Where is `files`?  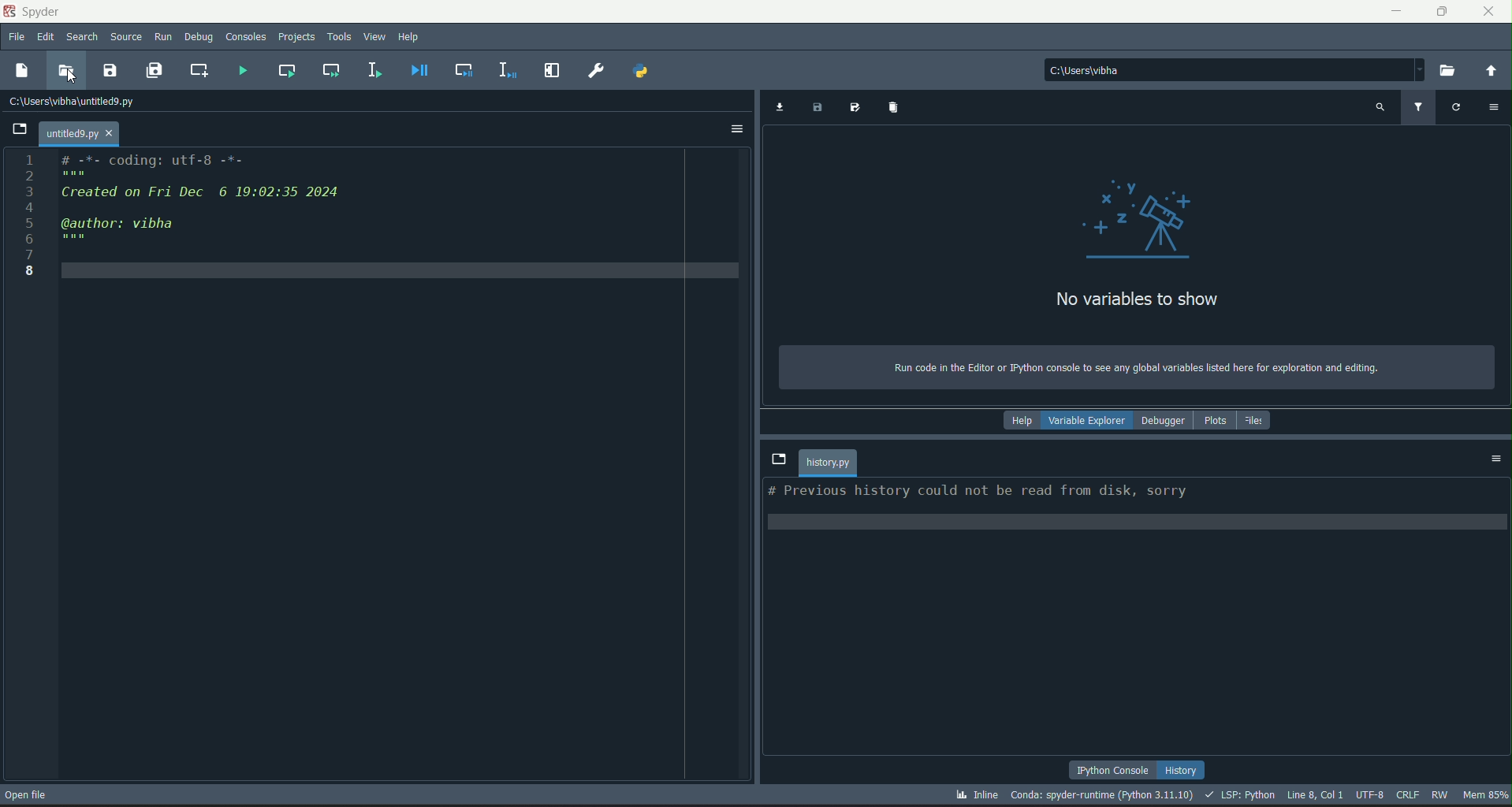
files is located at coordinates (1258, 419).